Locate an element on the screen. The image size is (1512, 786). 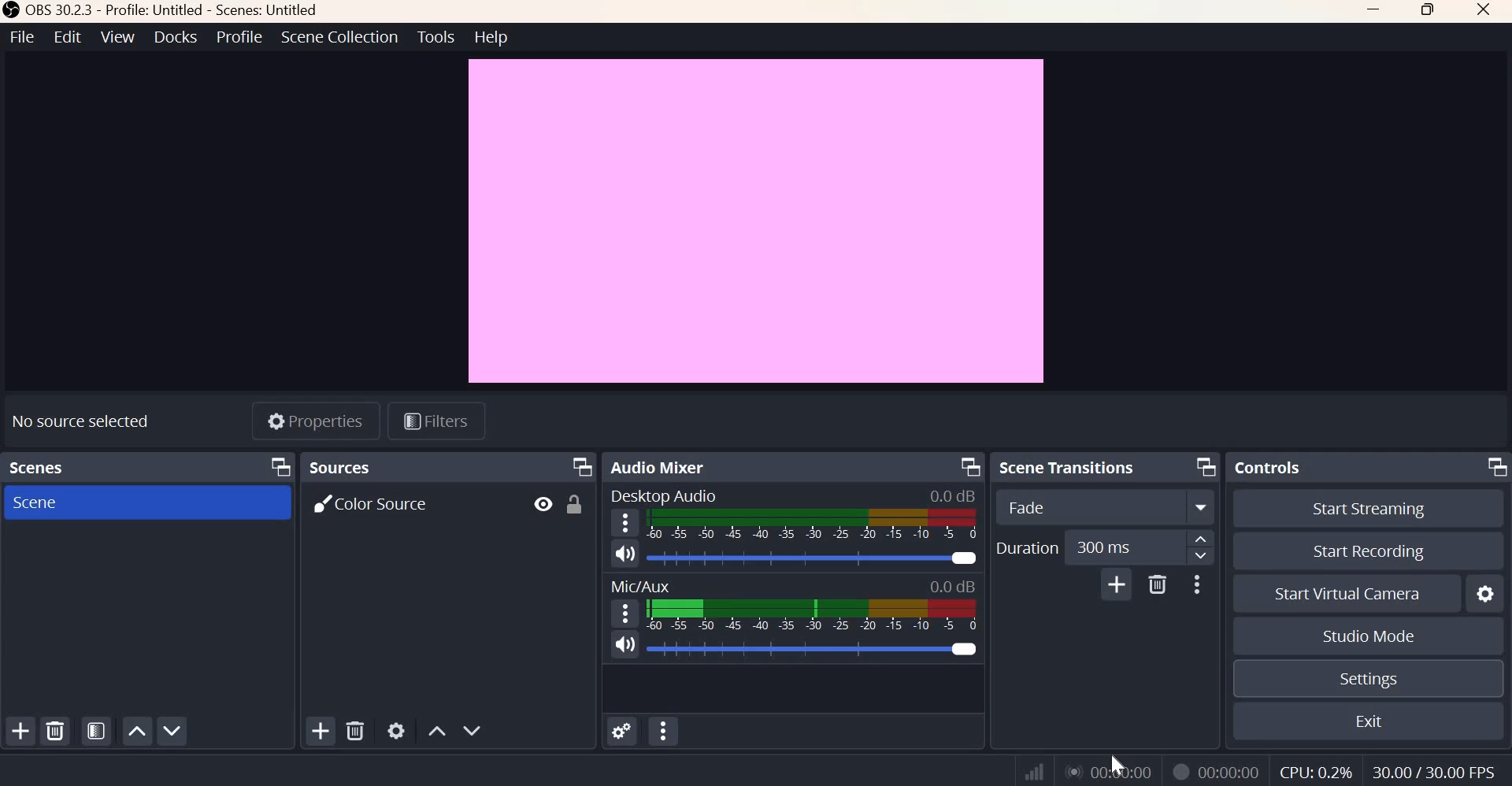
Visibility Toggle is located at coordinates (541, 505).